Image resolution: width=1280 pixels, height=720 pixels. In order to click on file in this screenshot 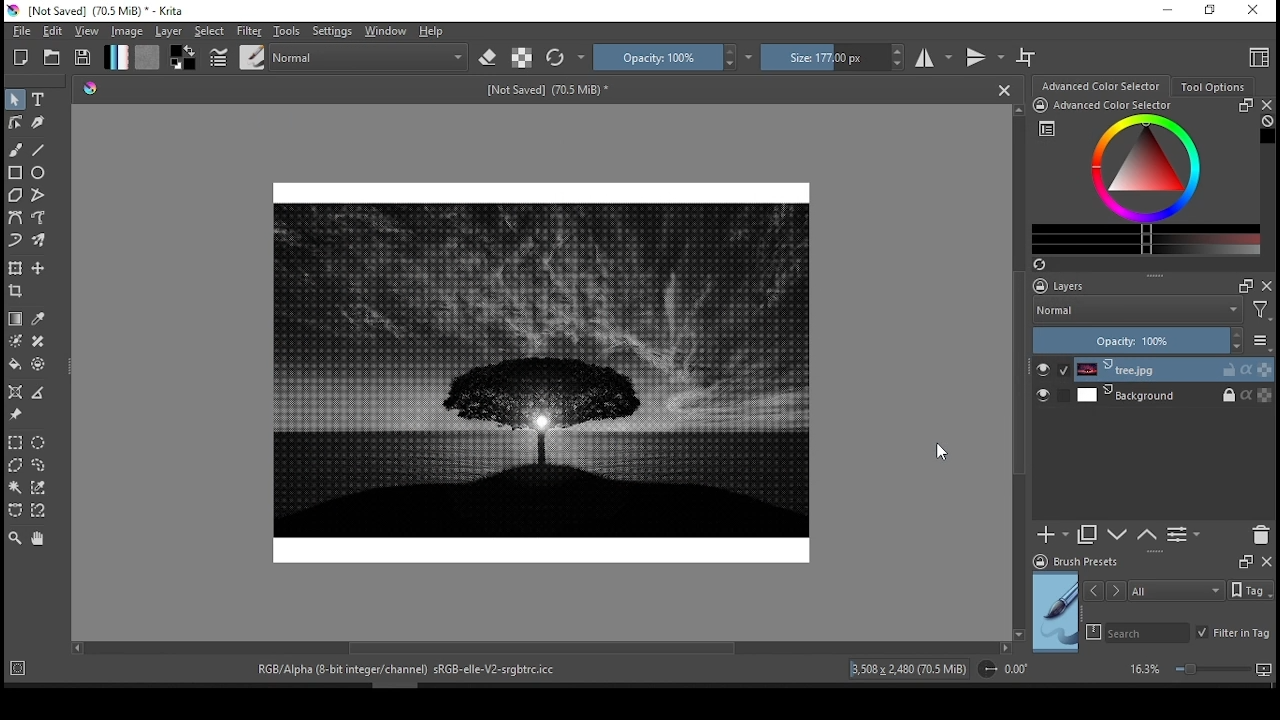, I will do `click(20, 31)`.